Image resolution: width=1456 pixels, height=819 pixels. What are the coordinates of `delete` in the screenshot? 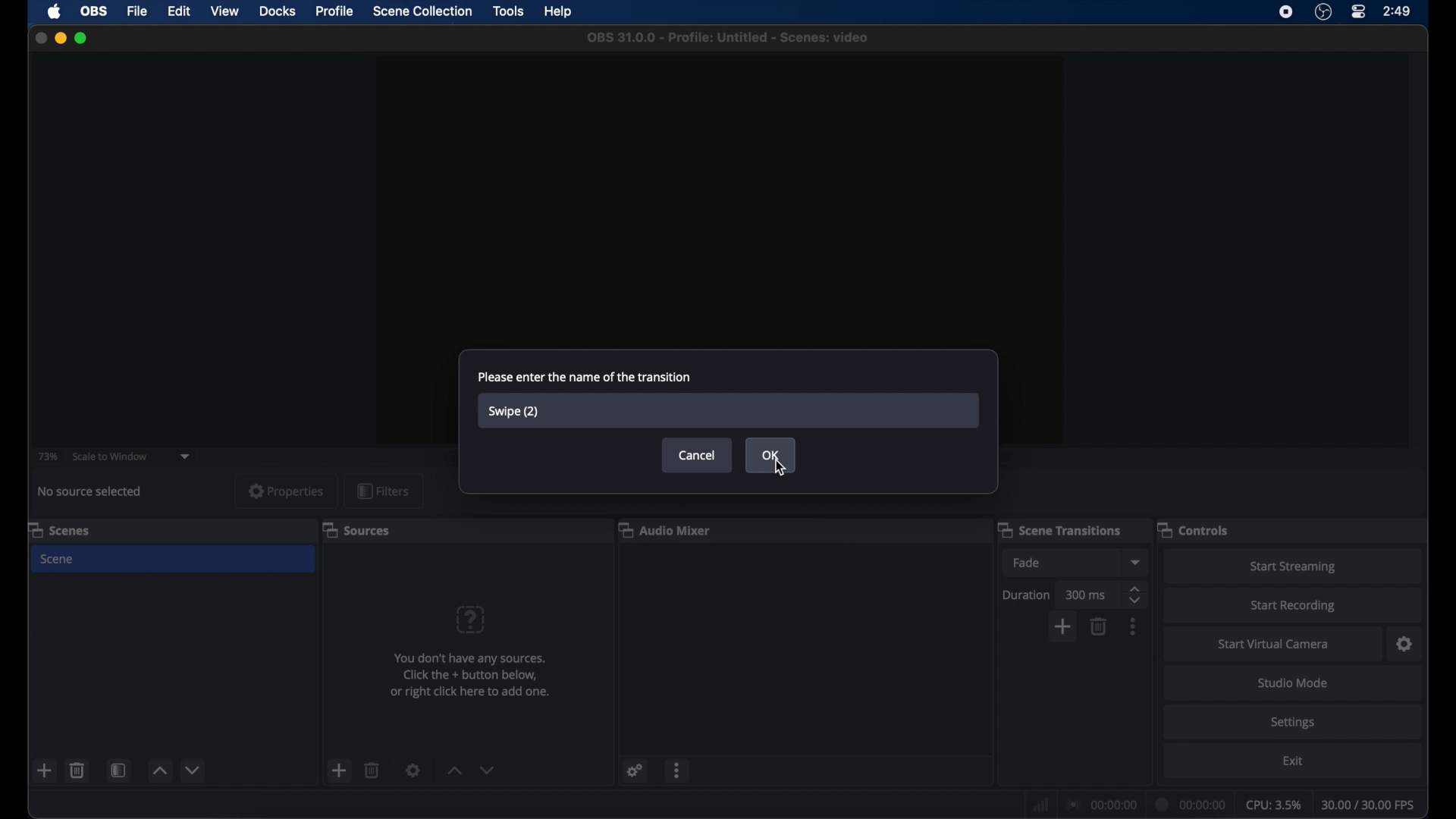 It's located at (372, 770).